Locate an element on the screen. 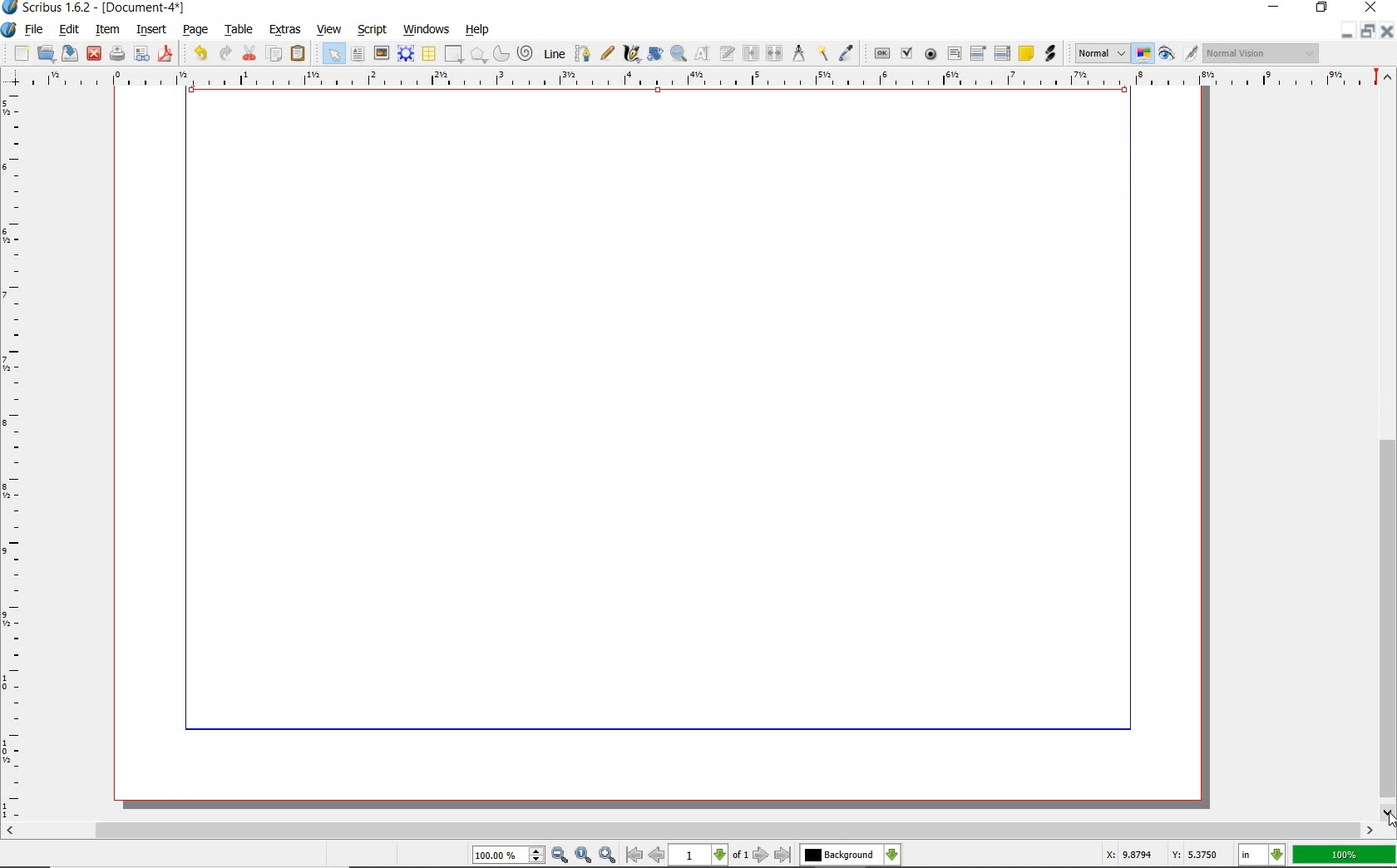  image frame is located at coordinates (382, 55).